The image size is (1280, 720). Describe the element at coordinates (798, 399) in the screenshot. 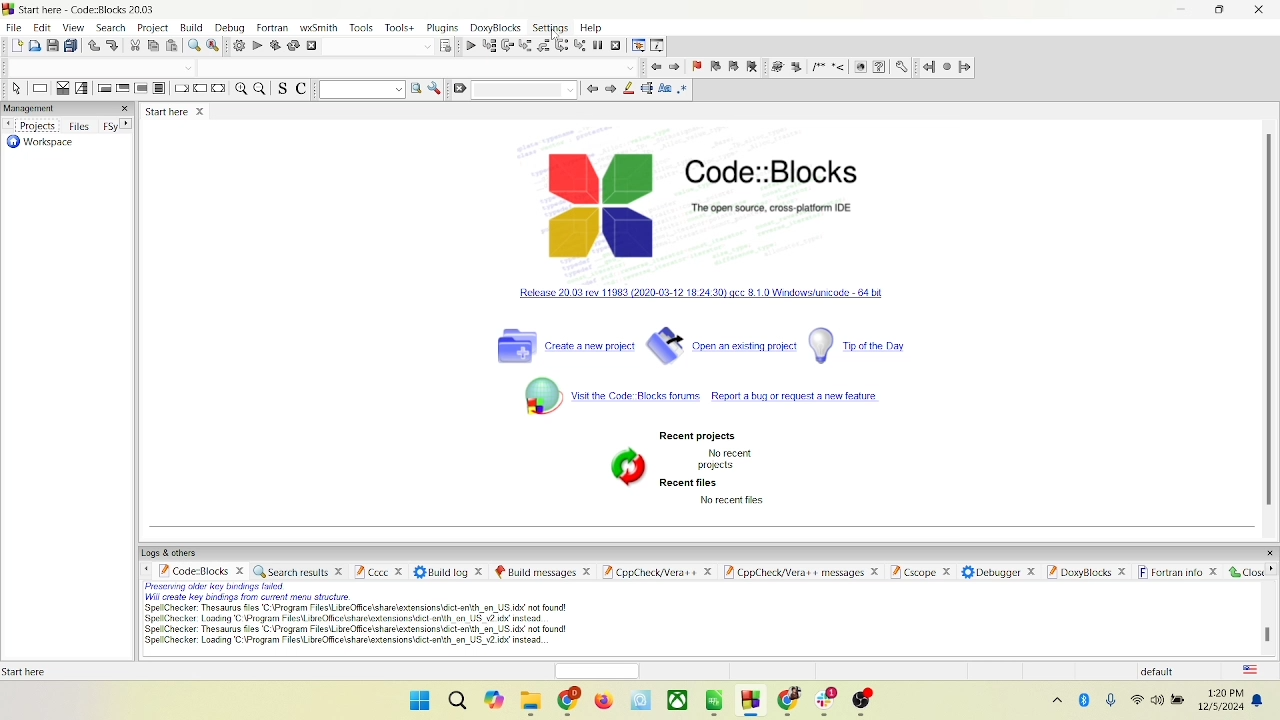

I see `report bug` at that location.